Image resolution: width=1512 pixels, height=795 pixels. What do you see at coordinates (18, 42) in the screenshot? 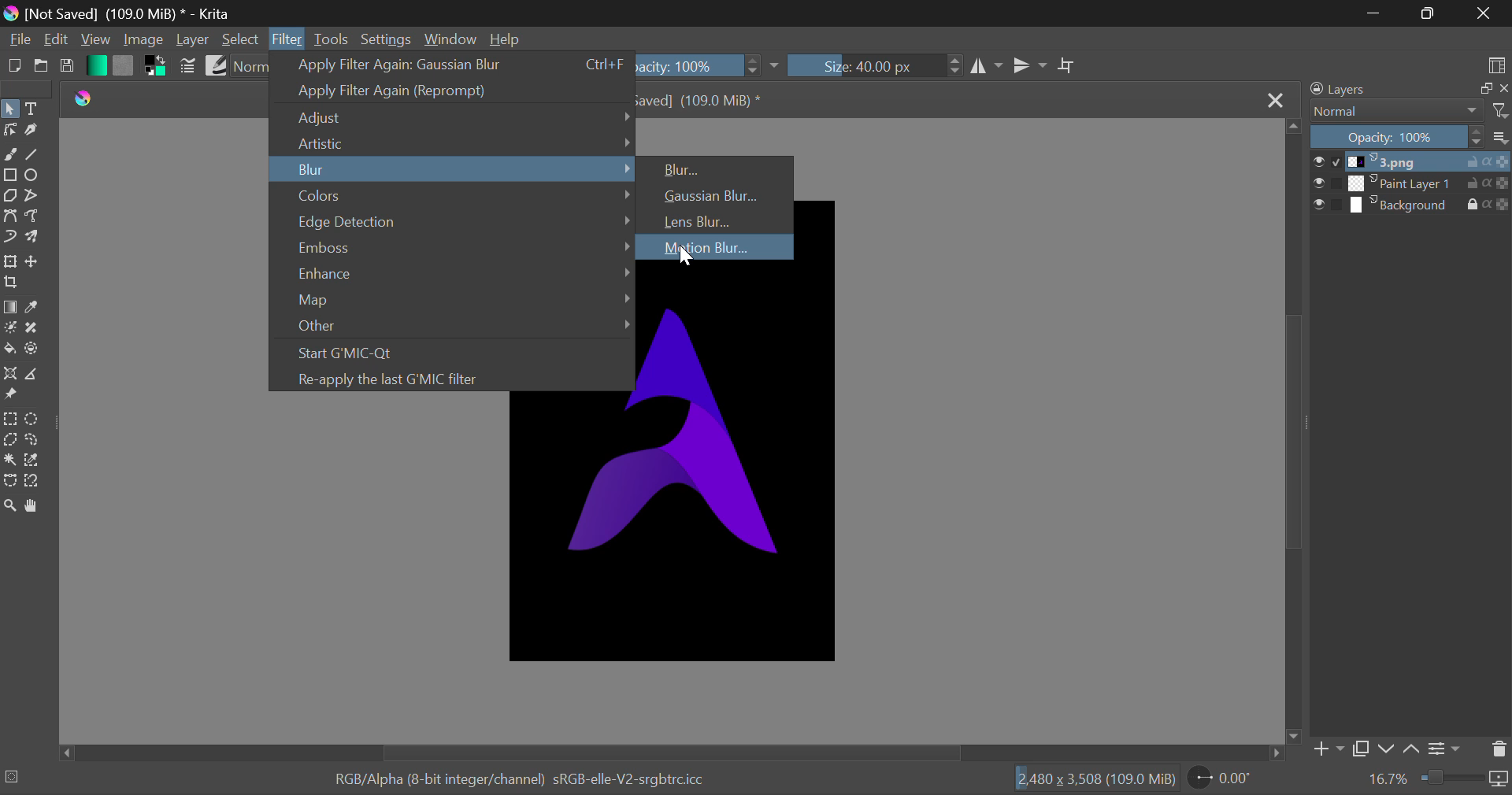
I see `File` at bounding box center [18, 42].